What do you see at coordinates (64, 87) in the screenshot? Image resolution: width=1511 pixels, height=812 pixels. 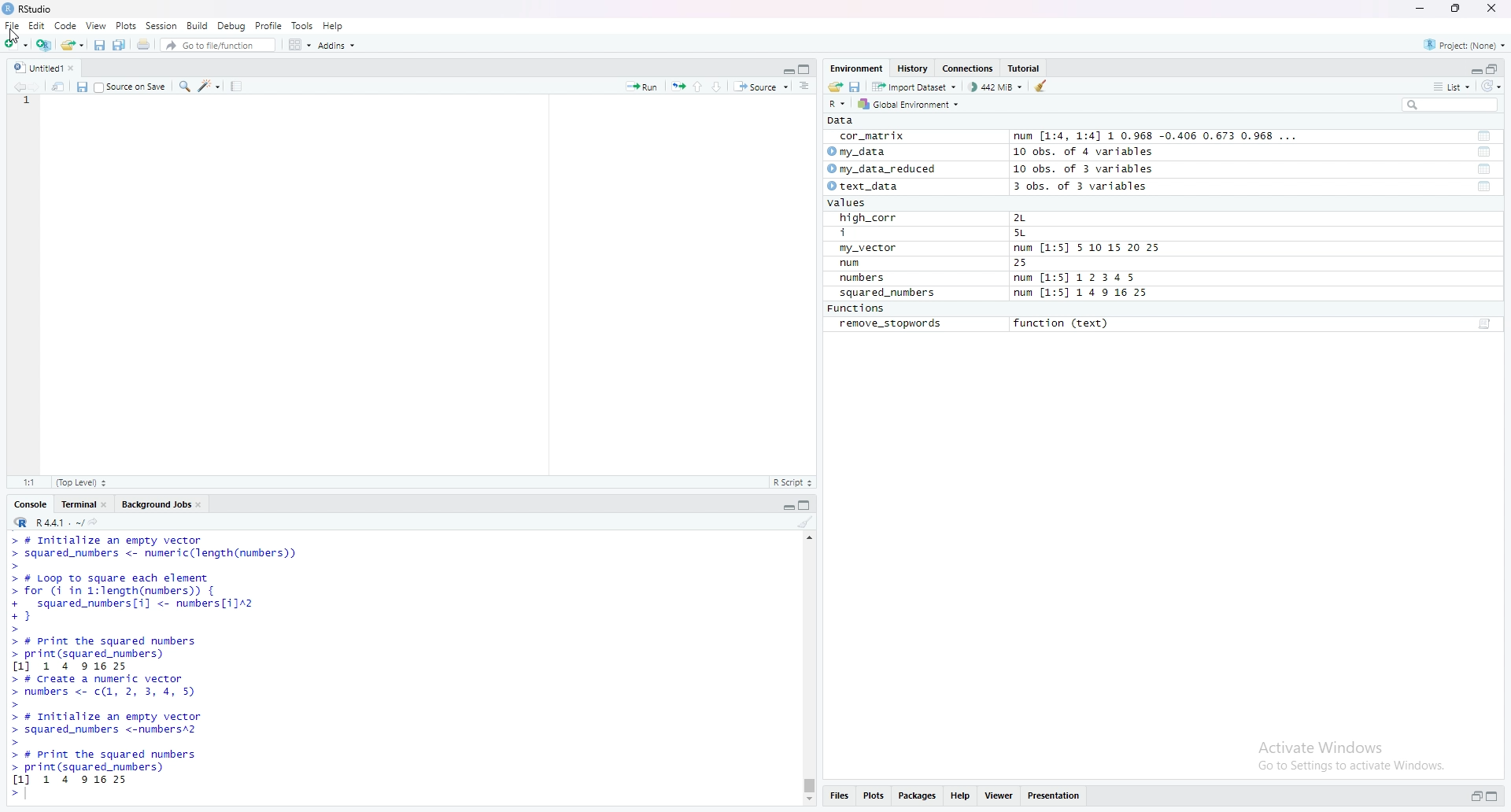 I see `show in new window` at bounding box center [64, 87].